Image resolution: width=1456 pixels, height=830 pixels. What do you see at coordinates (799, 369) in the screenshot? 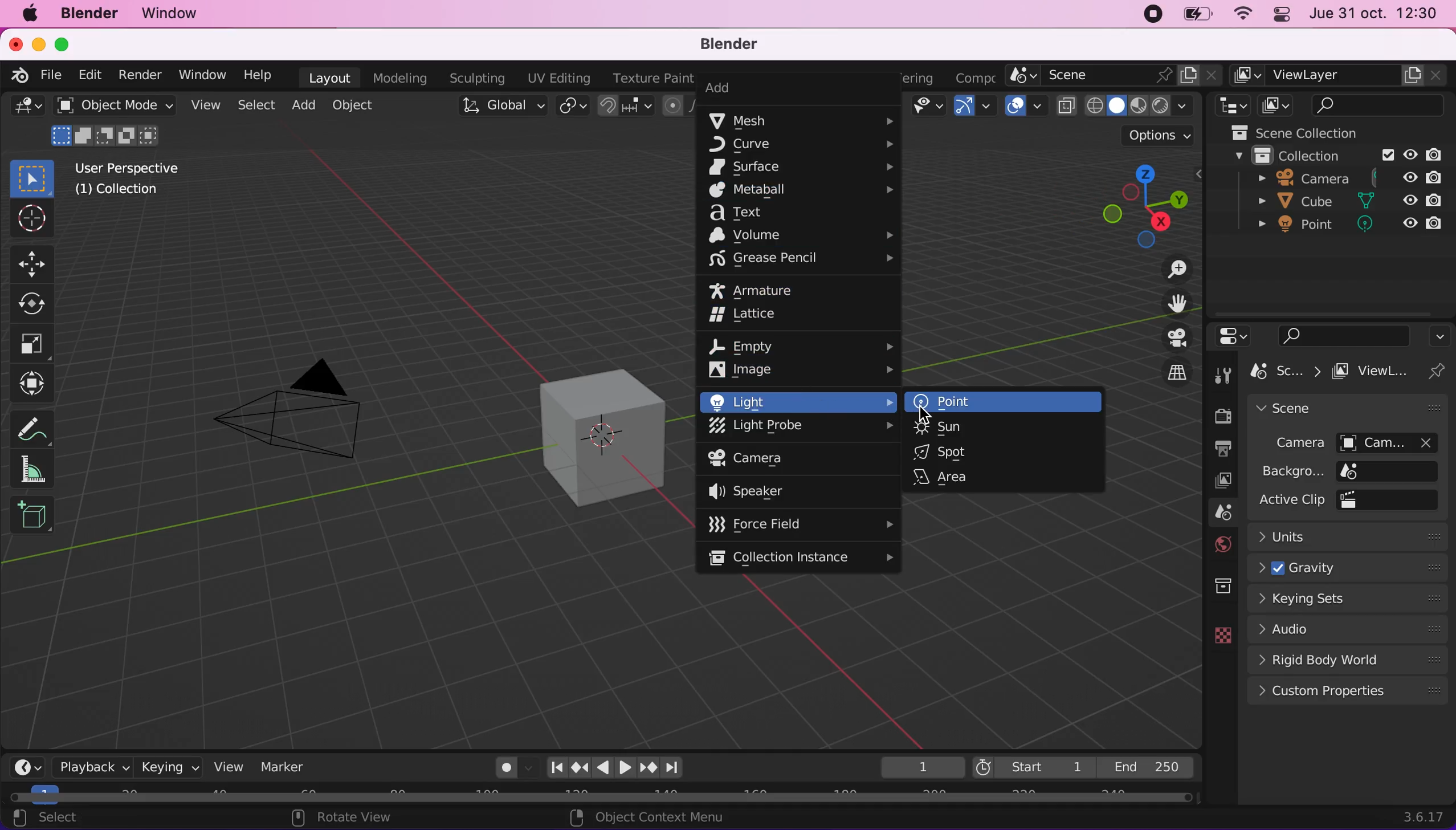
I see `image` at bounding box center [799, 369].